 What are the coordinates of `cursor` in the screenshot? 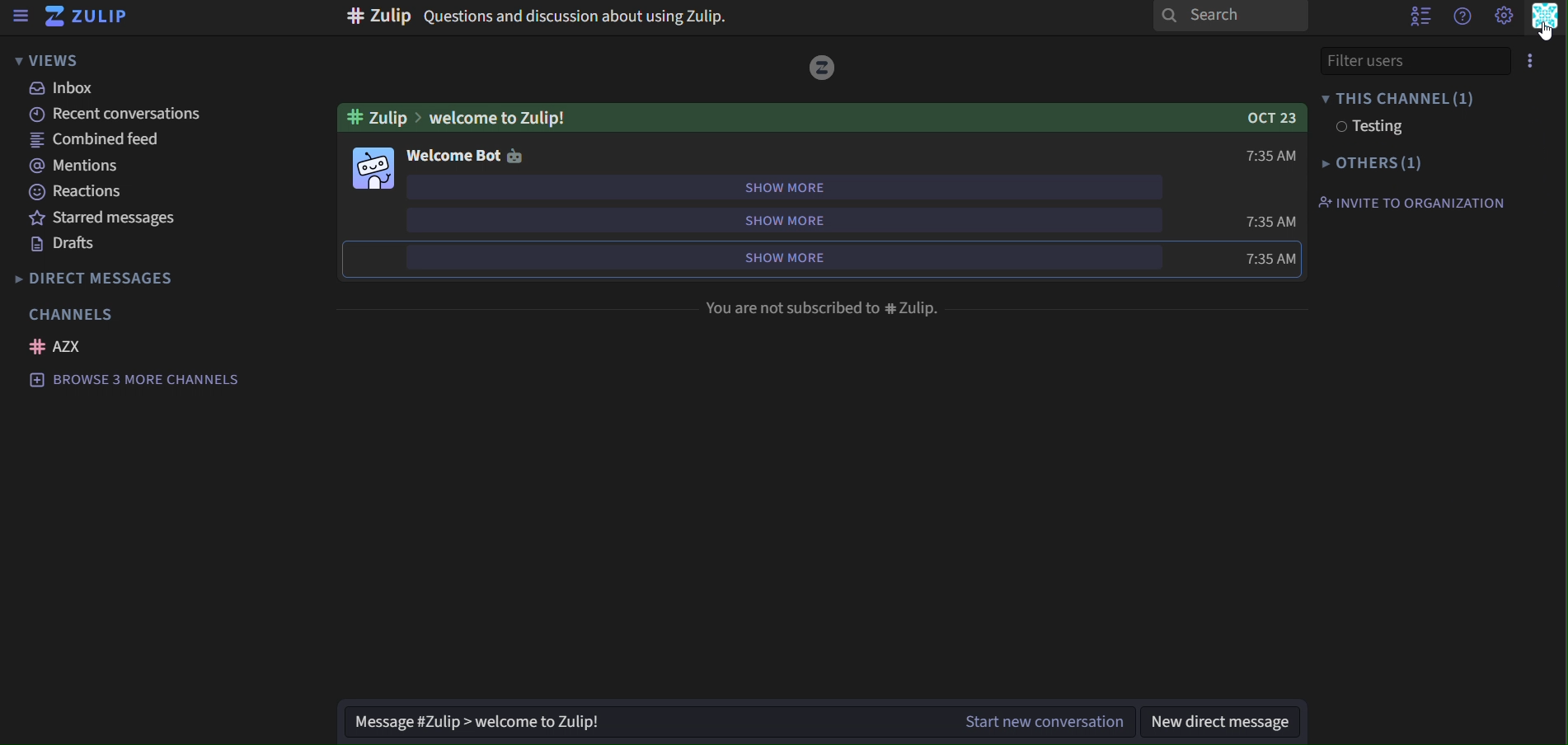 It's located at (1544, 34).